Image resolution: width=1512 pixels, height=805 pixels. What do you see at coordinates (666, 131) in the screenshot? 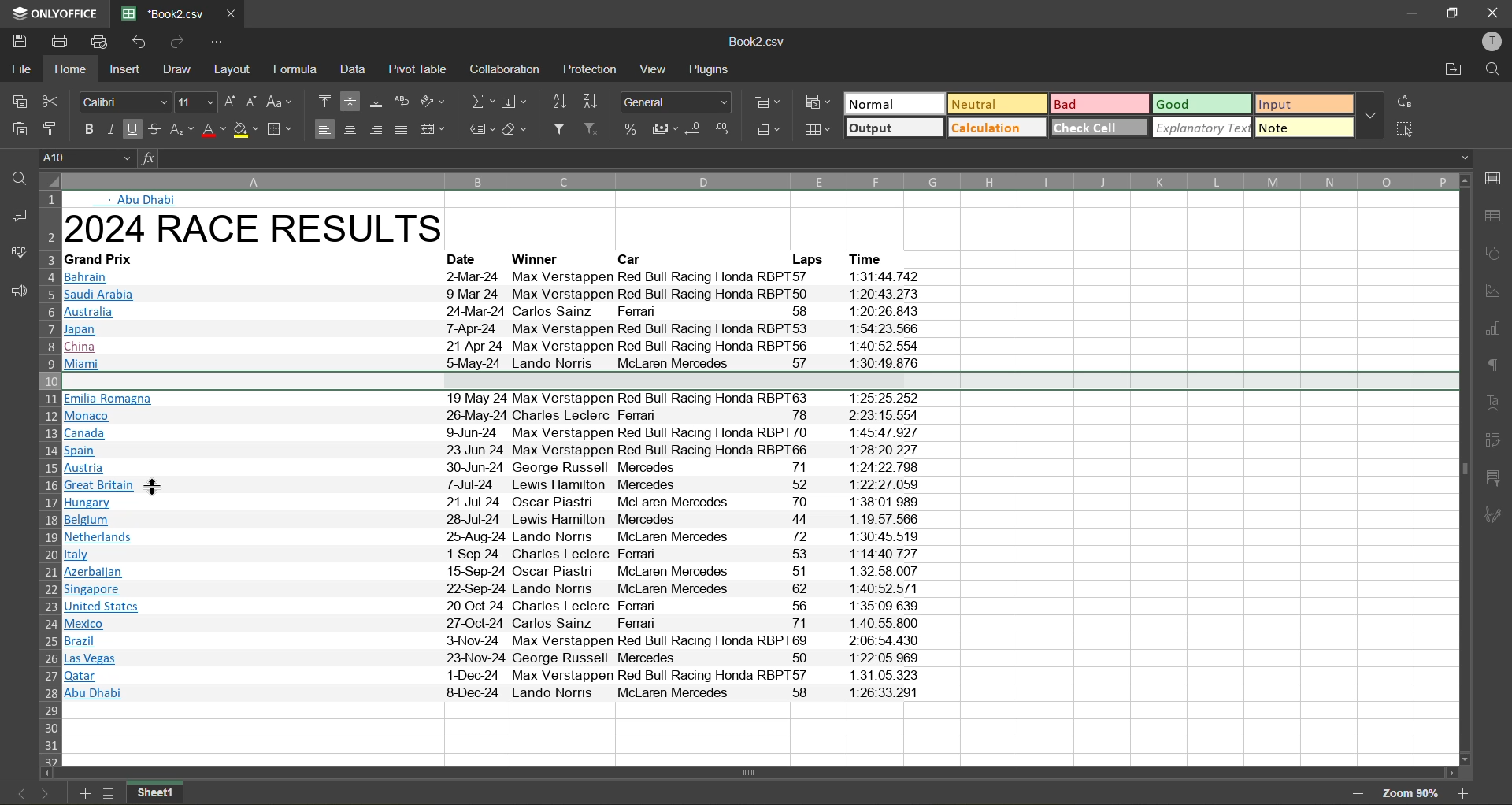
I see `accounting` at bounding box center [666, 131].